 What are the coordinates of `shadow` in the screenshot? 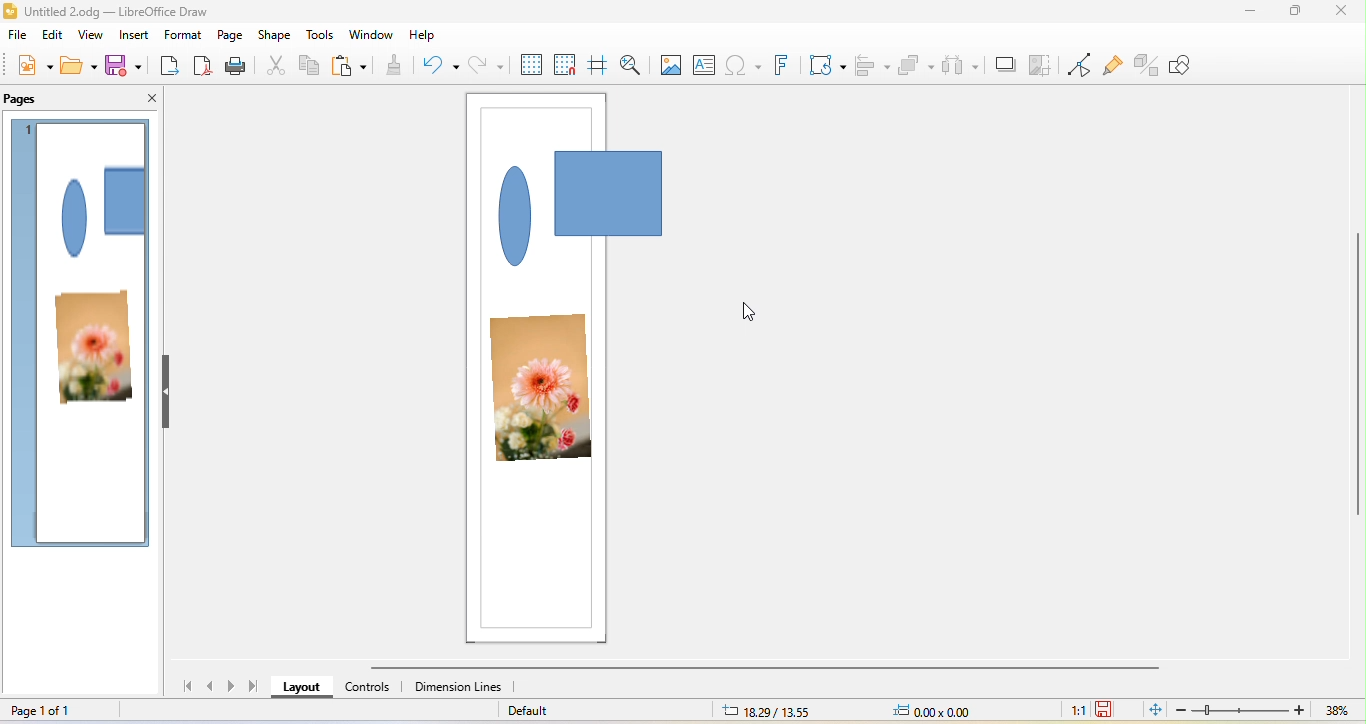 It's located at (1004, 59).